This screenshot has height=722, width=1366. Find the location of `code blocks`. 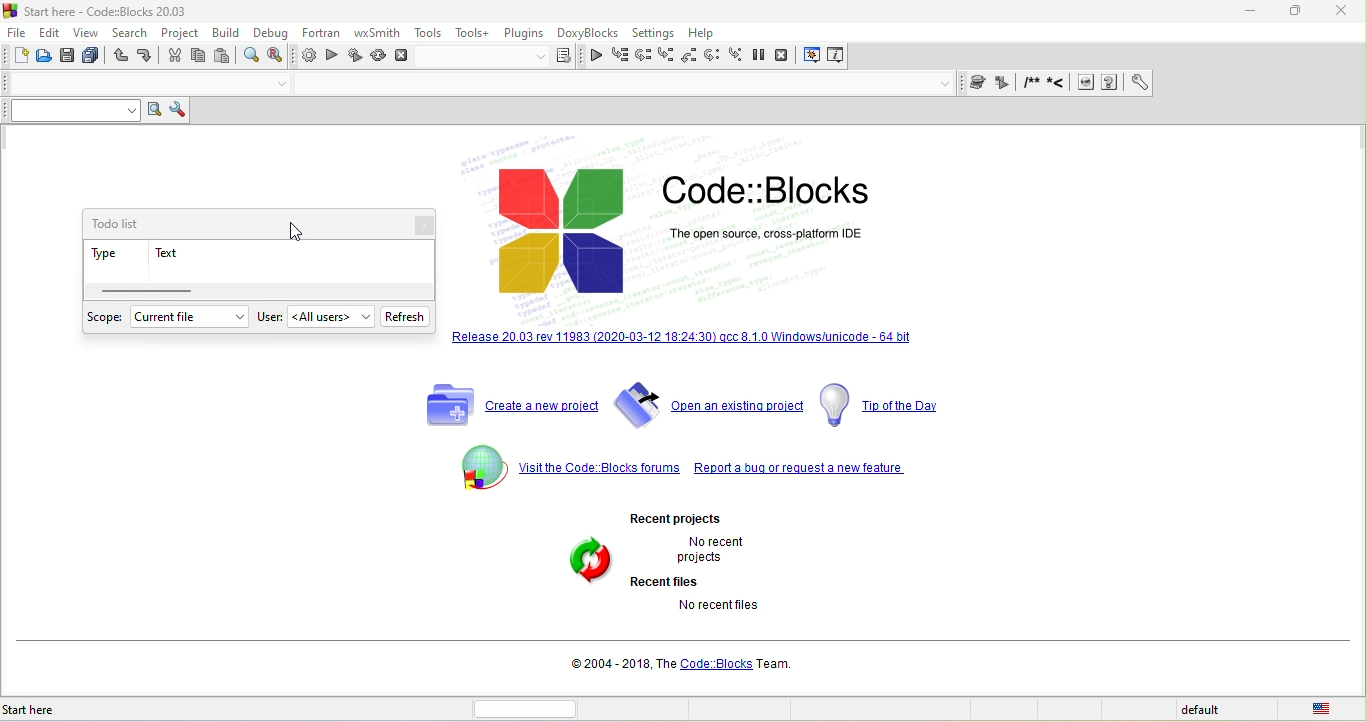

code blocks is located at coordinates (564, 233).